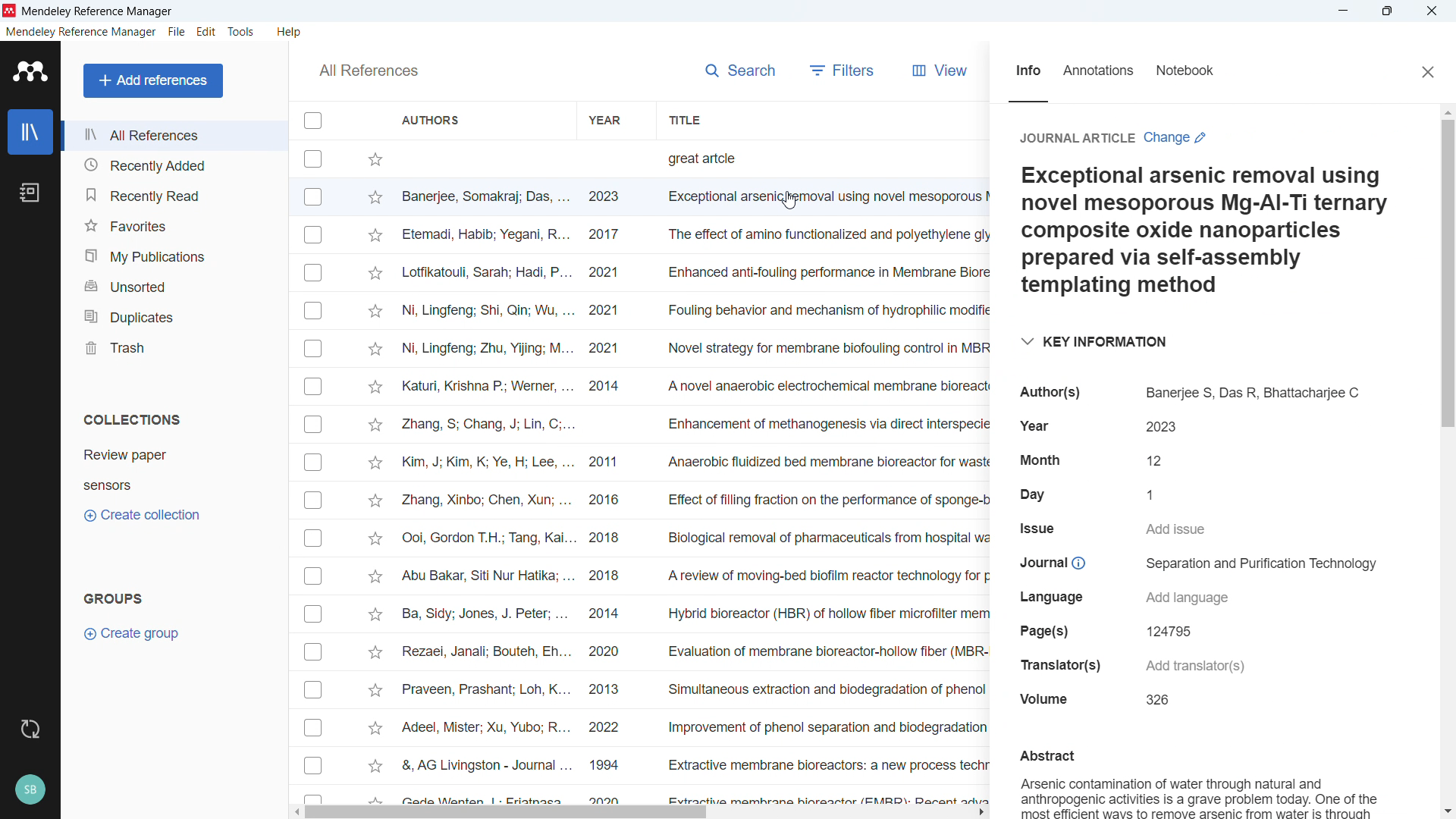  What do you see at coordinates (175, 223) in the screenshot?
I see `Favourites ` at bounding box center [175, 223].